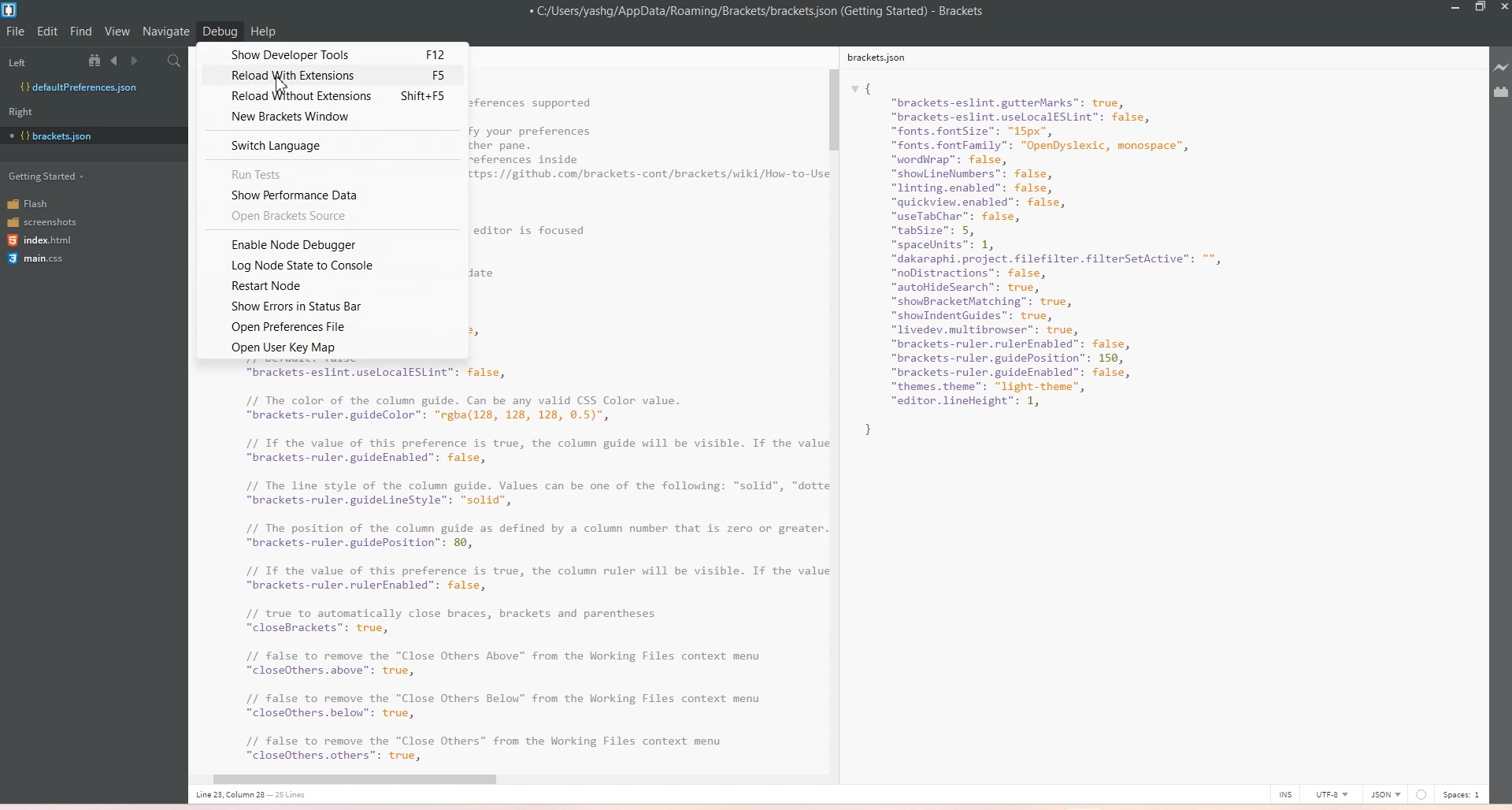  I want to click on Show Errors in status Bar, so click(328, 305).